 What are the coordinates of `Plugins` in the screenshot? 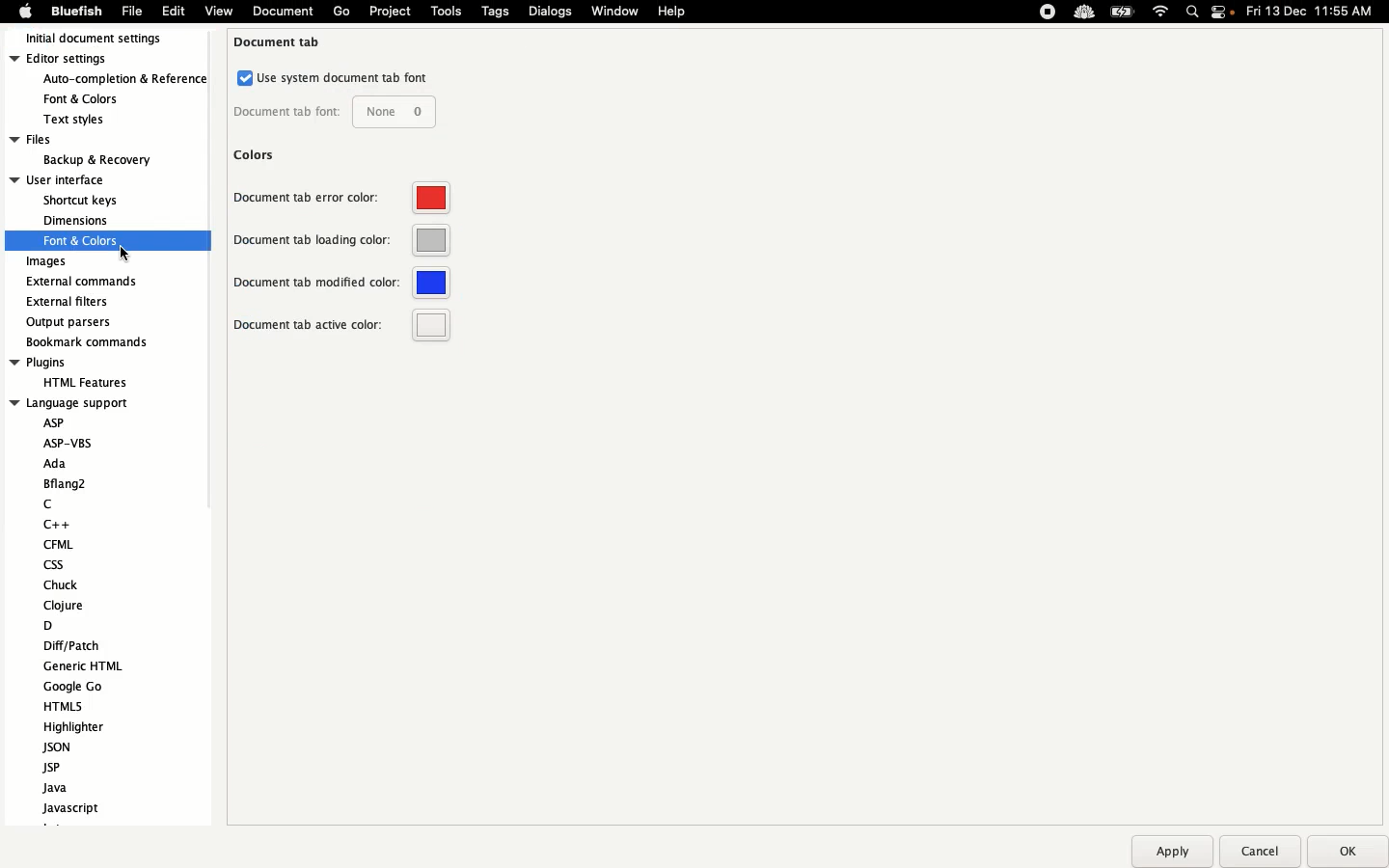 It's located at (71, 363).